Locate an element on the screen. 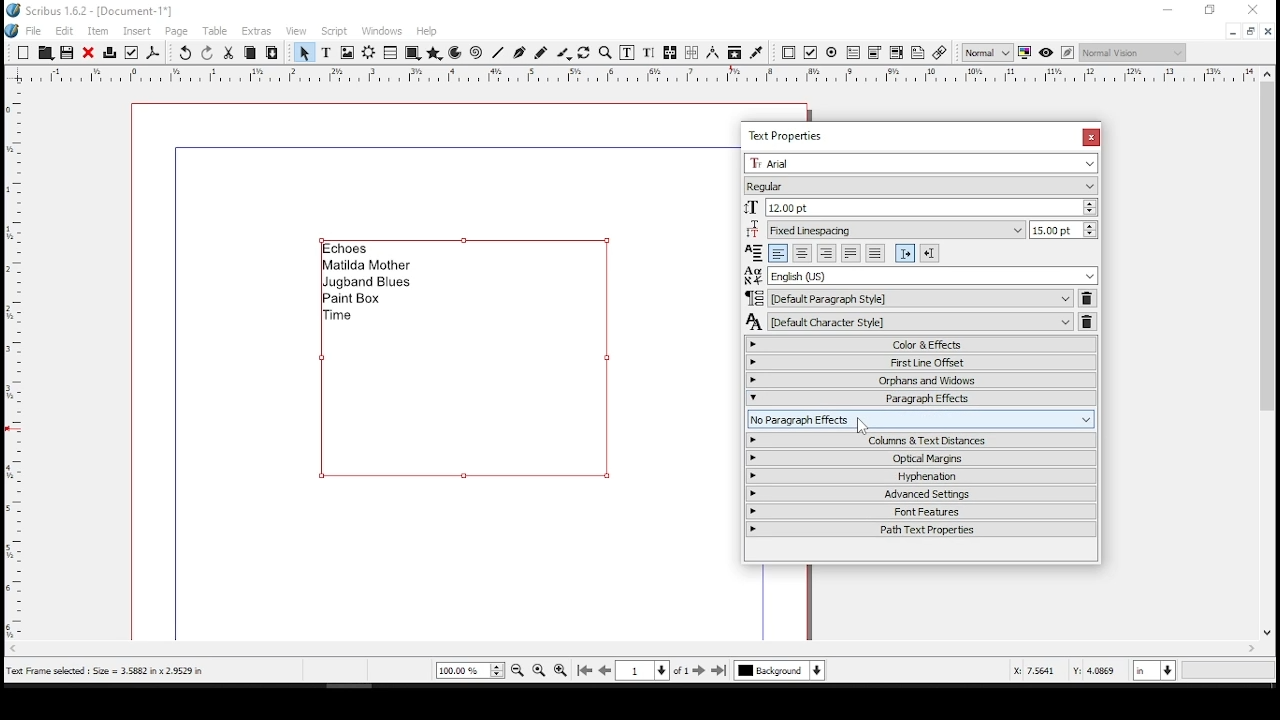 This screenshot has height=720, width=1280. X: 4.1993 is located at coordinates (1029, 670).